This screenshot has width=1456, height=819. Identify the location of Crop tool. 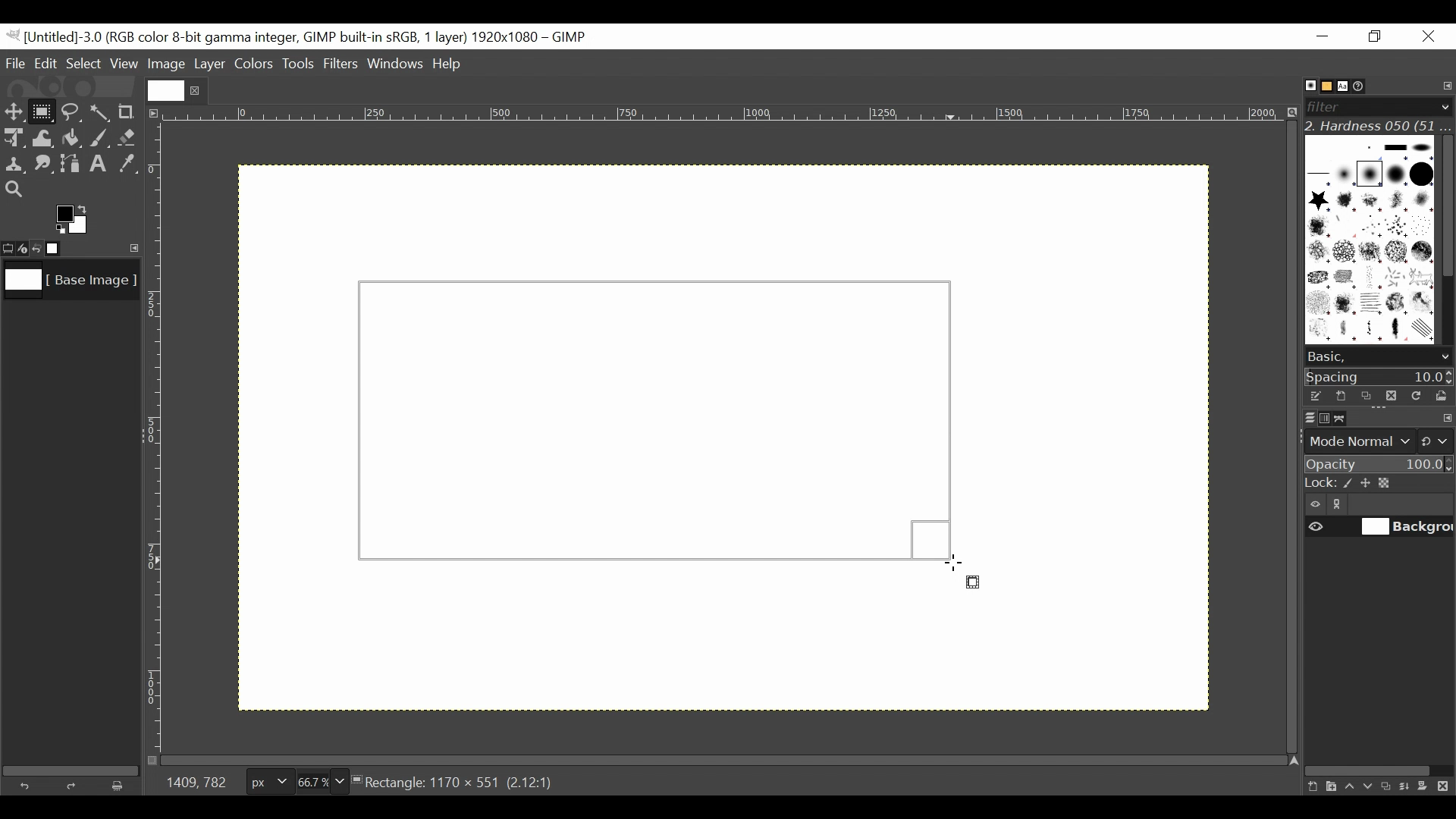
(133, 111).